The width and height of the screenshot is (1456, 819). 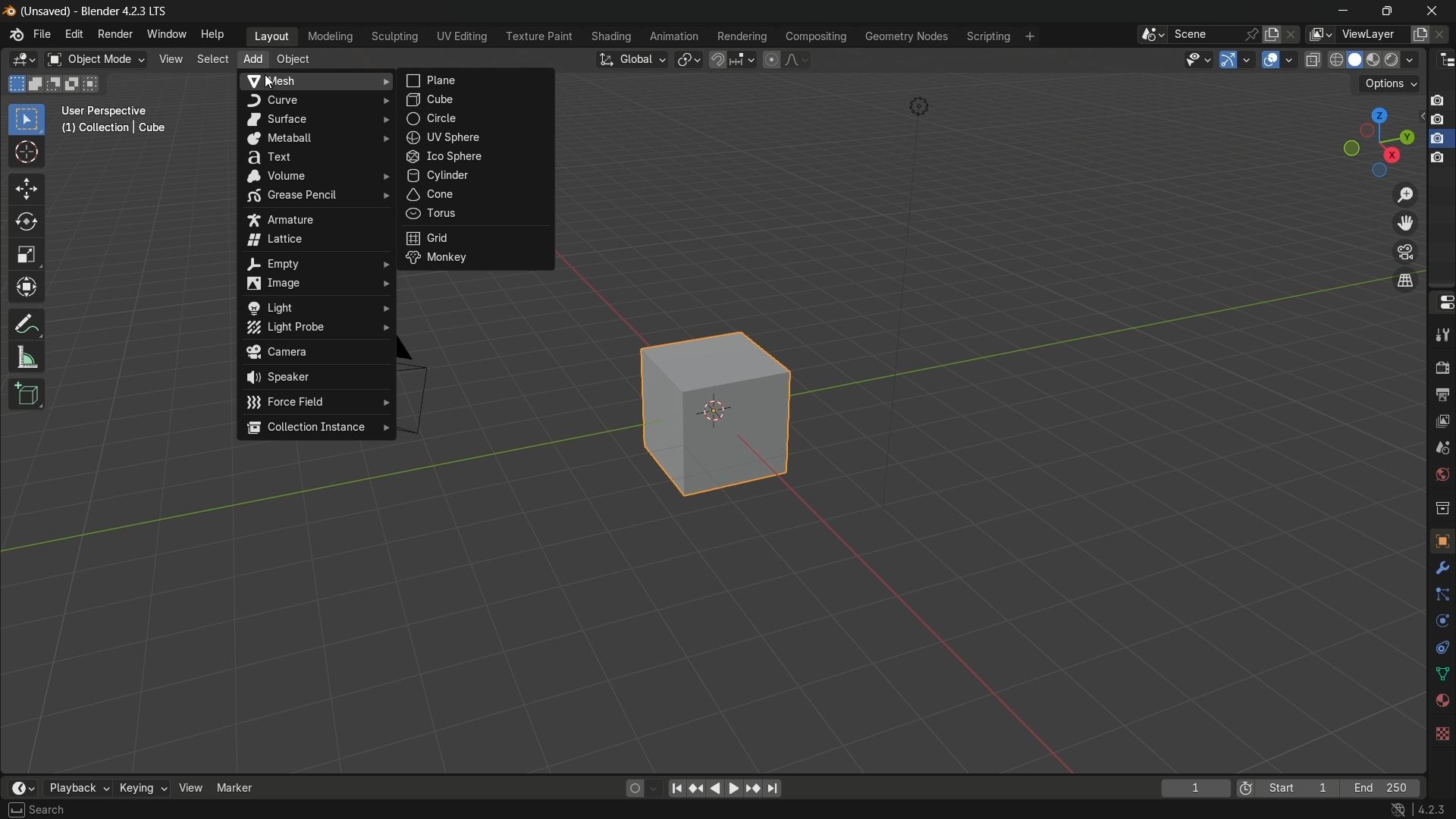 I want to click on options, so click(x=1390, y=84).